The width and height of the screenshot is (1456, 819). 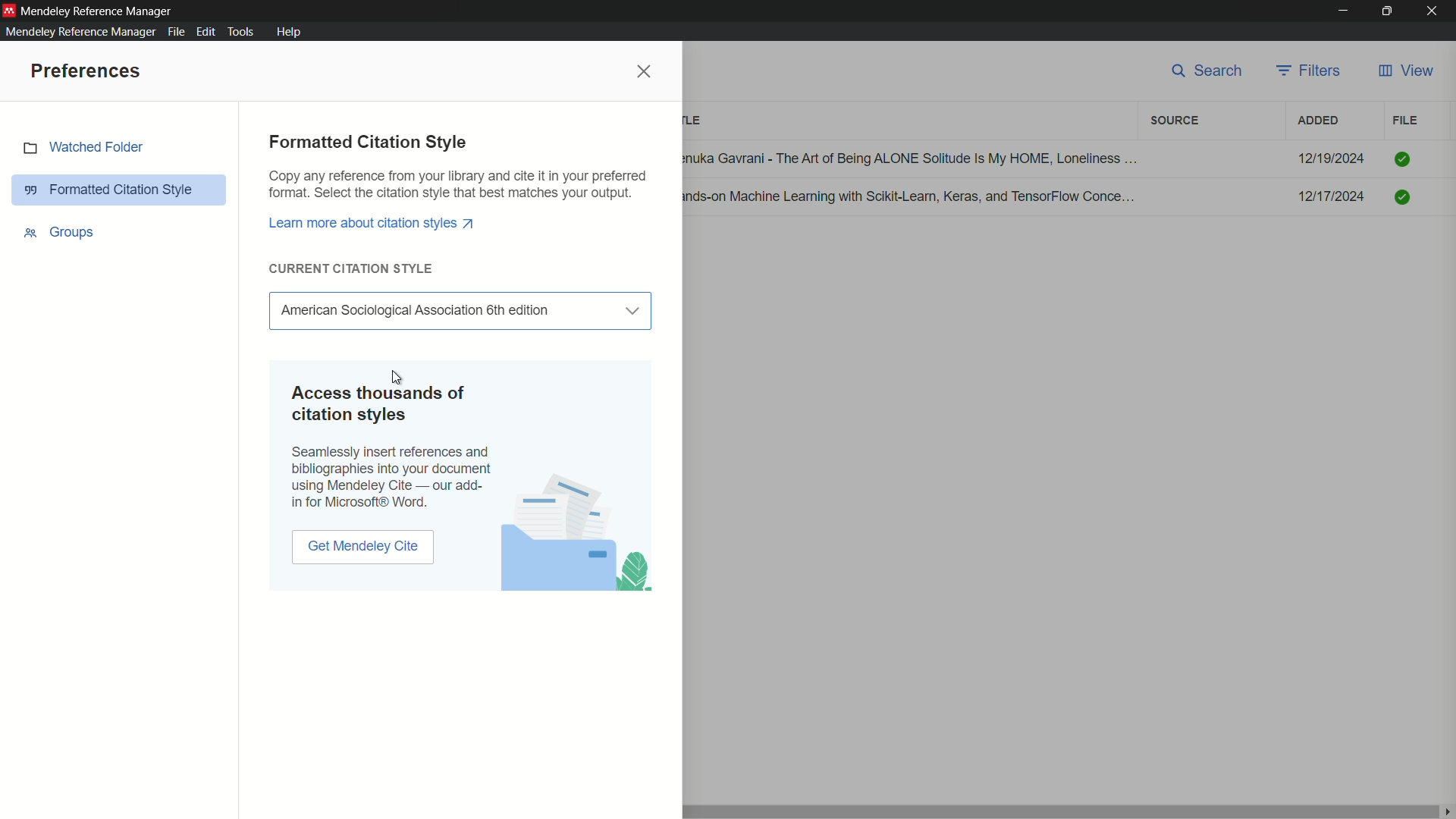 What do you see at coordinates (459, 186) in the screenshot?
I see `Copy any reference from your library and cite it in your preferred format. Select the citation style that best matches your output` at bounding box center [459, 186].